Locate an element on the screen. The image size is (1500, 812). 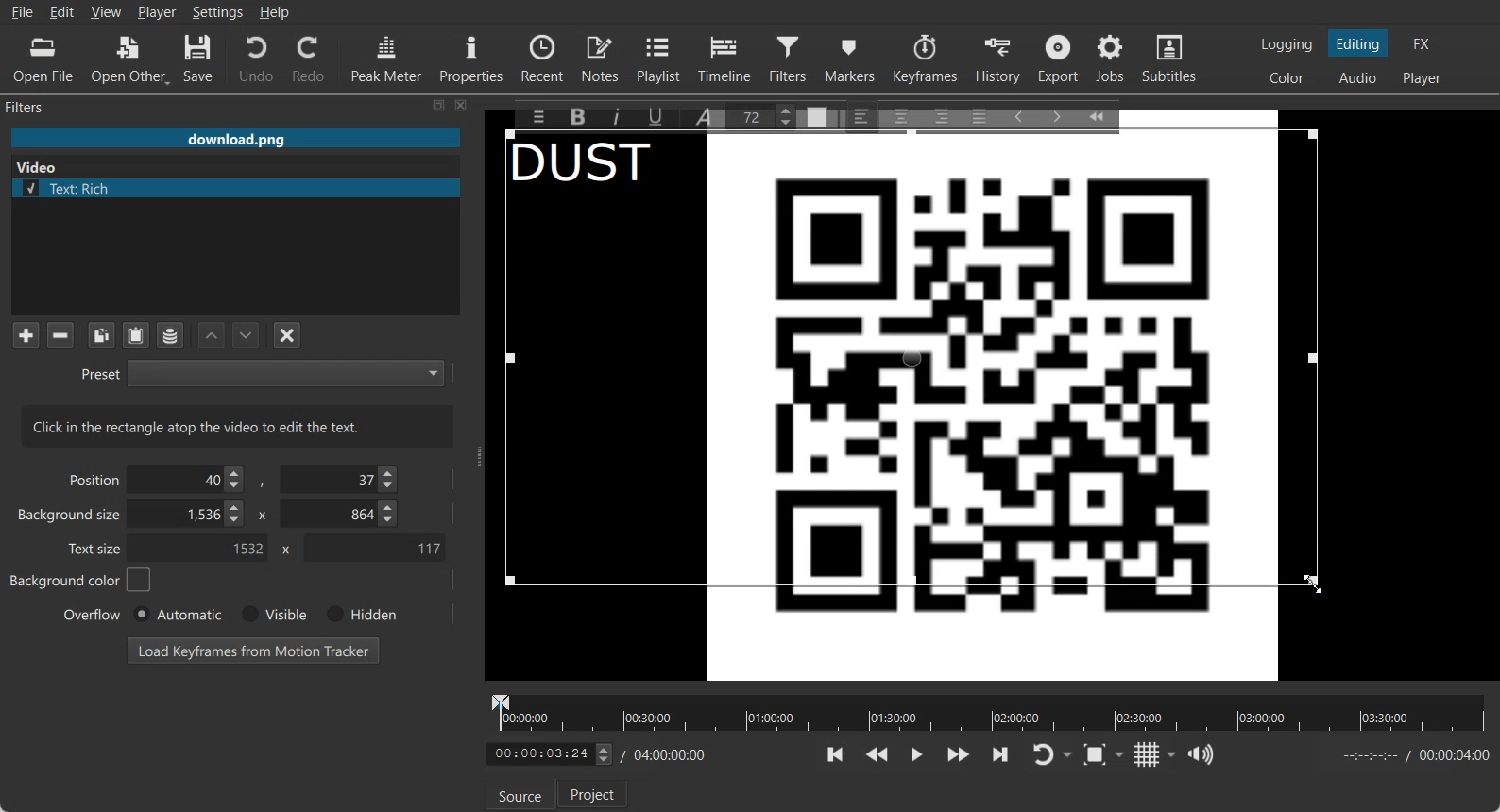
Background size is located at coordinates (71, 518).